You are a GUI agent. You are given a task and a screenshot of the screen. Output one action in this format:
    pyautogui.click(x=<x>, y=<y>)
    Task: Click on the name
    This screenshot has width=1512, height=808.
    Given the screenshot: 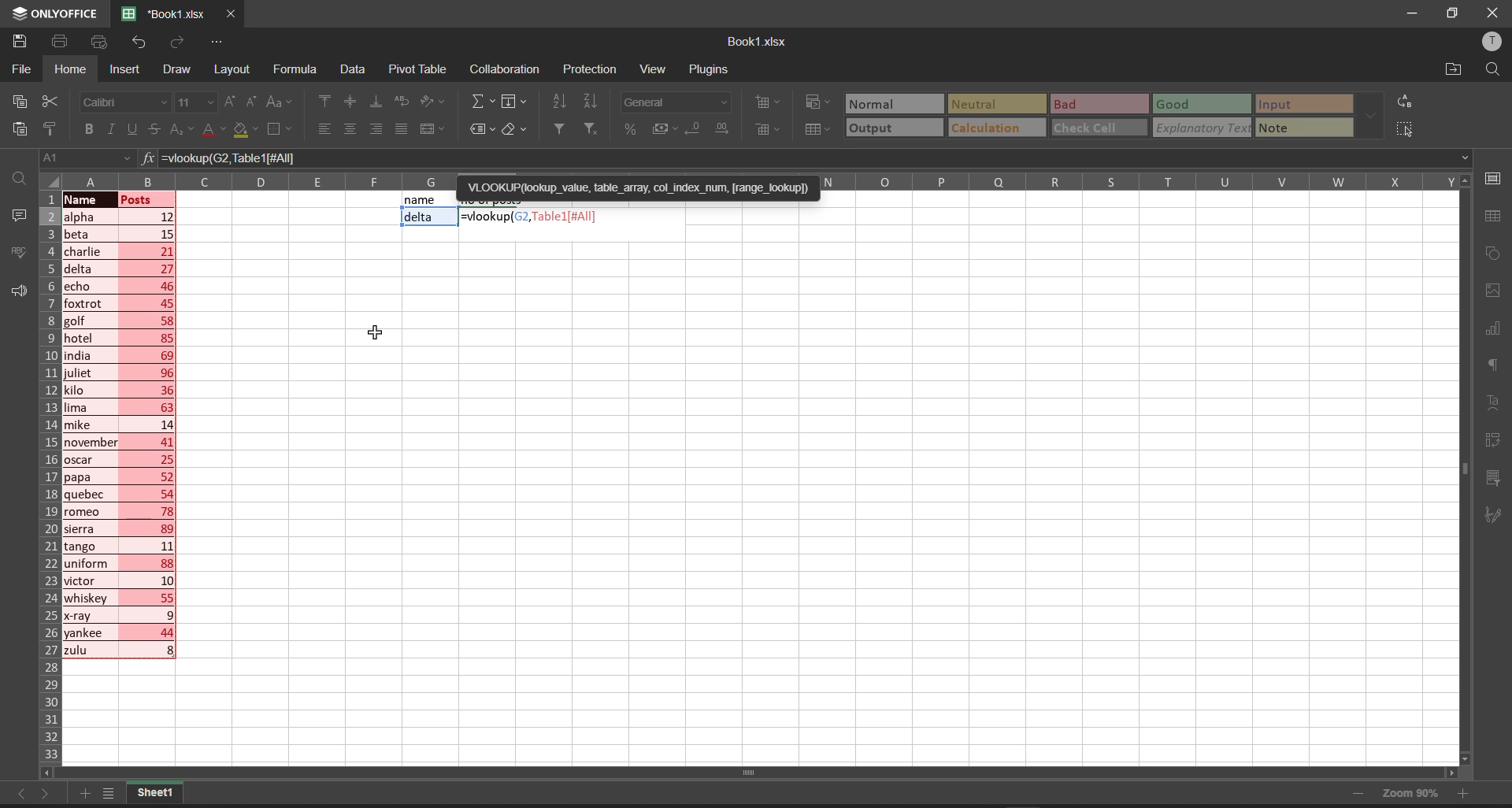 What is the action you would take?
    pyautogui.click(x=421, y=200)
    